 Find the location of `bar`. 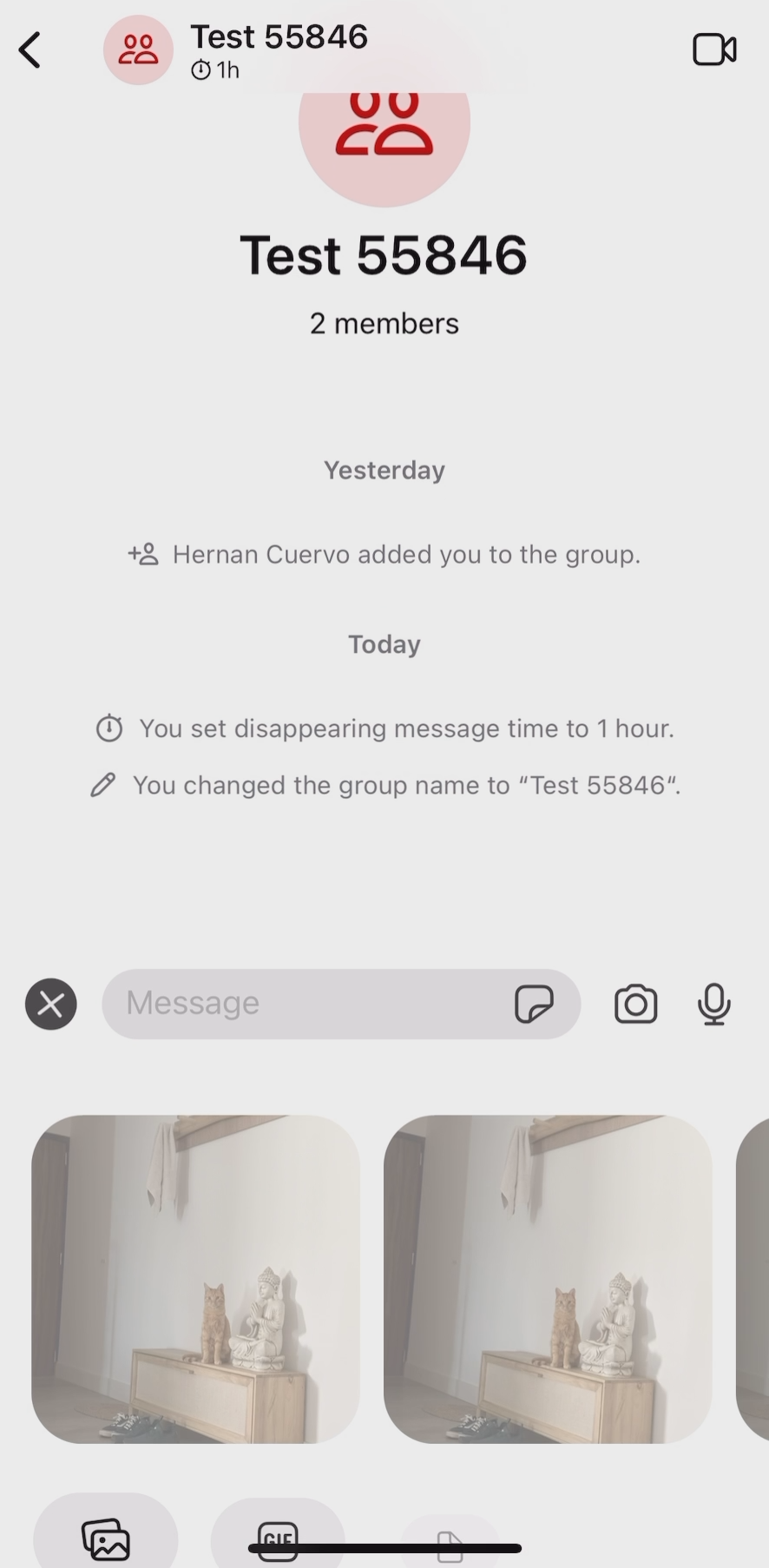

bar is located at coordinates (387, 1545).